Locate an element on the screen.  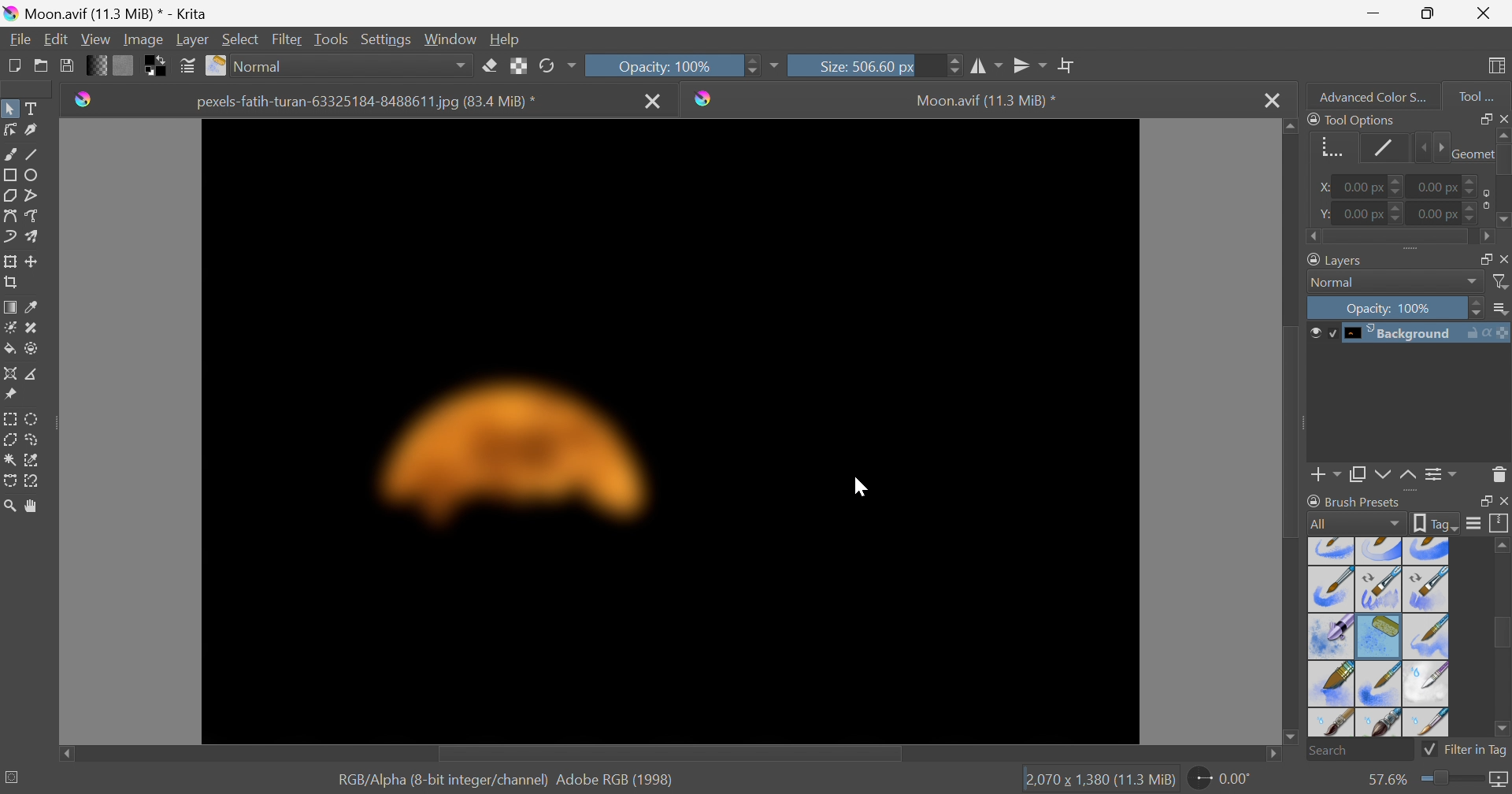
0.00 px is located at coordinates (1451, 213).